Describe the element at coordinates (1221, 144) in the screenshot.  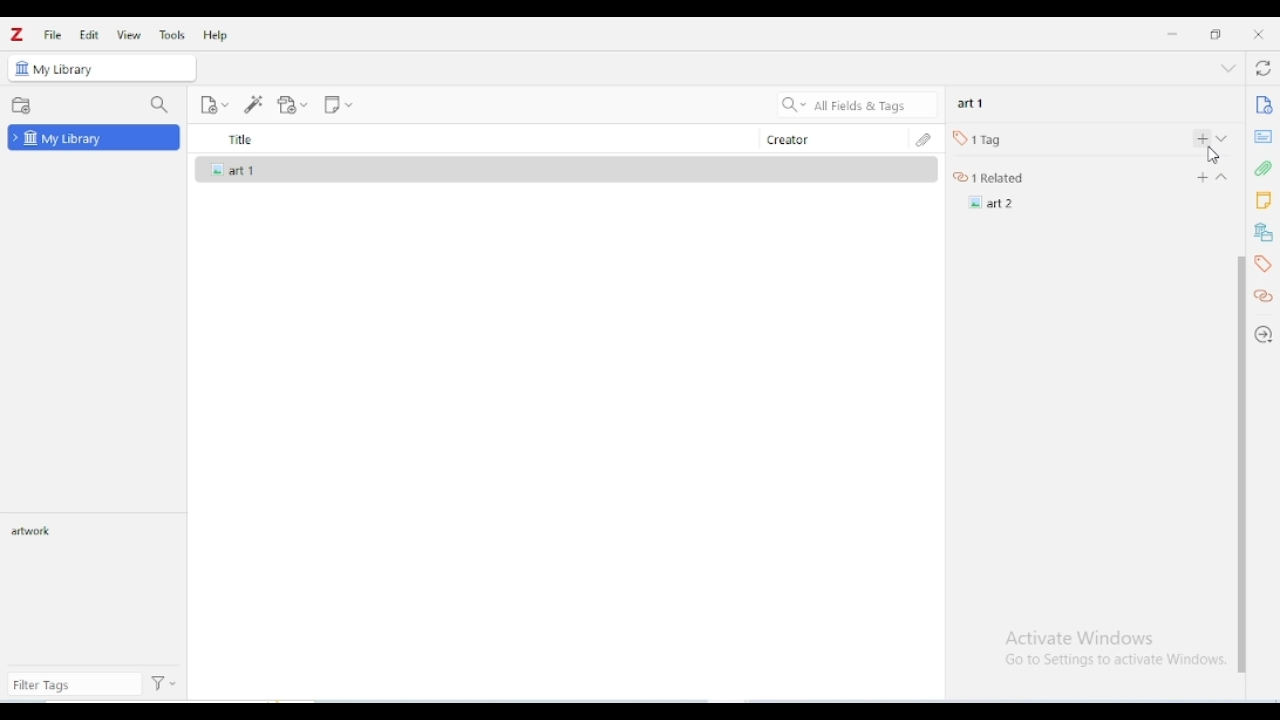
I see `collapse section` at that location.